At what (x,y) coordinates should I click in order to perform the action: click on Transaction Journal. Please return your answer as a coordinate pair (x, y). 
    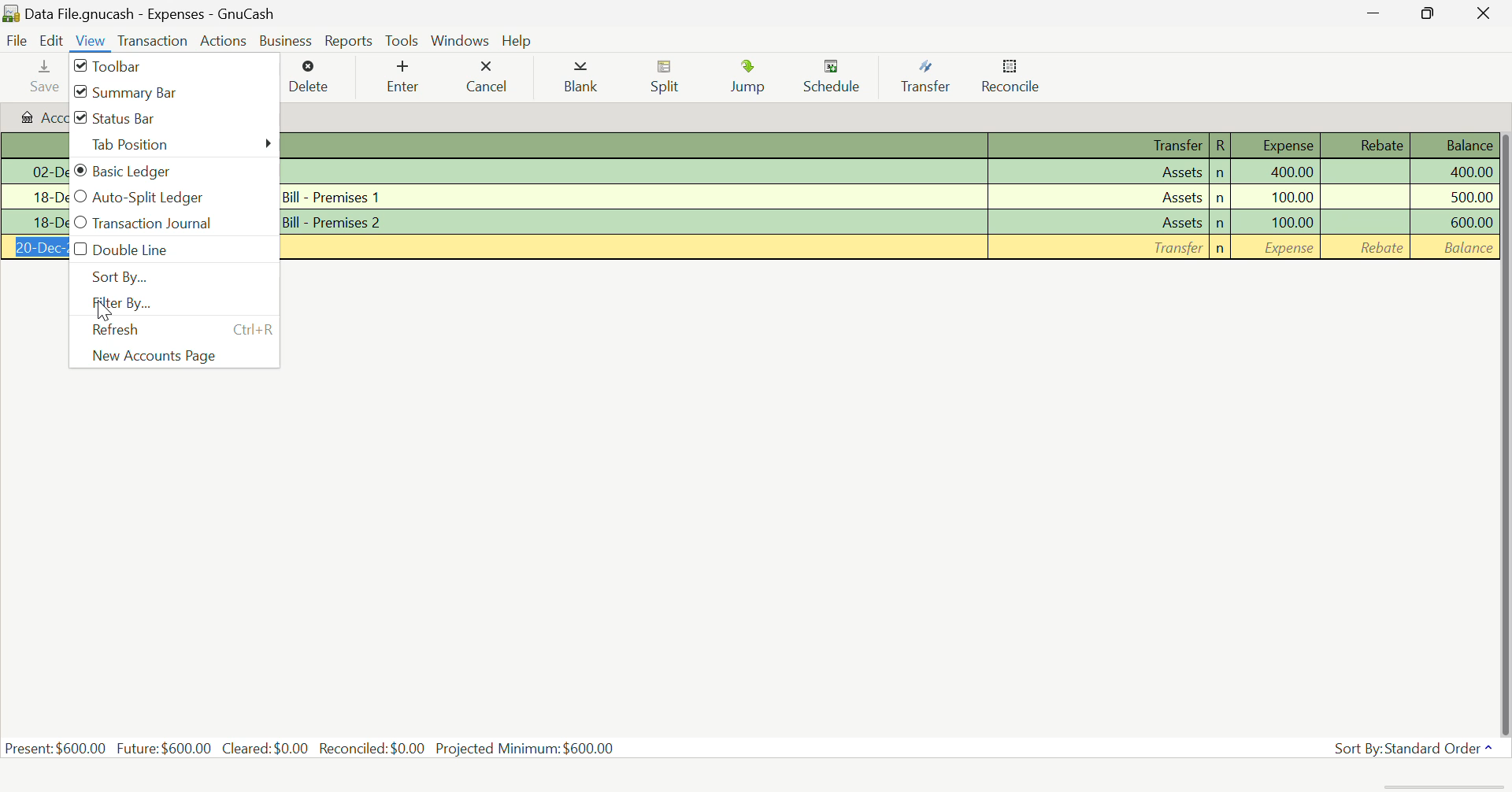
    Looking at the image, I should click on (173, 224).